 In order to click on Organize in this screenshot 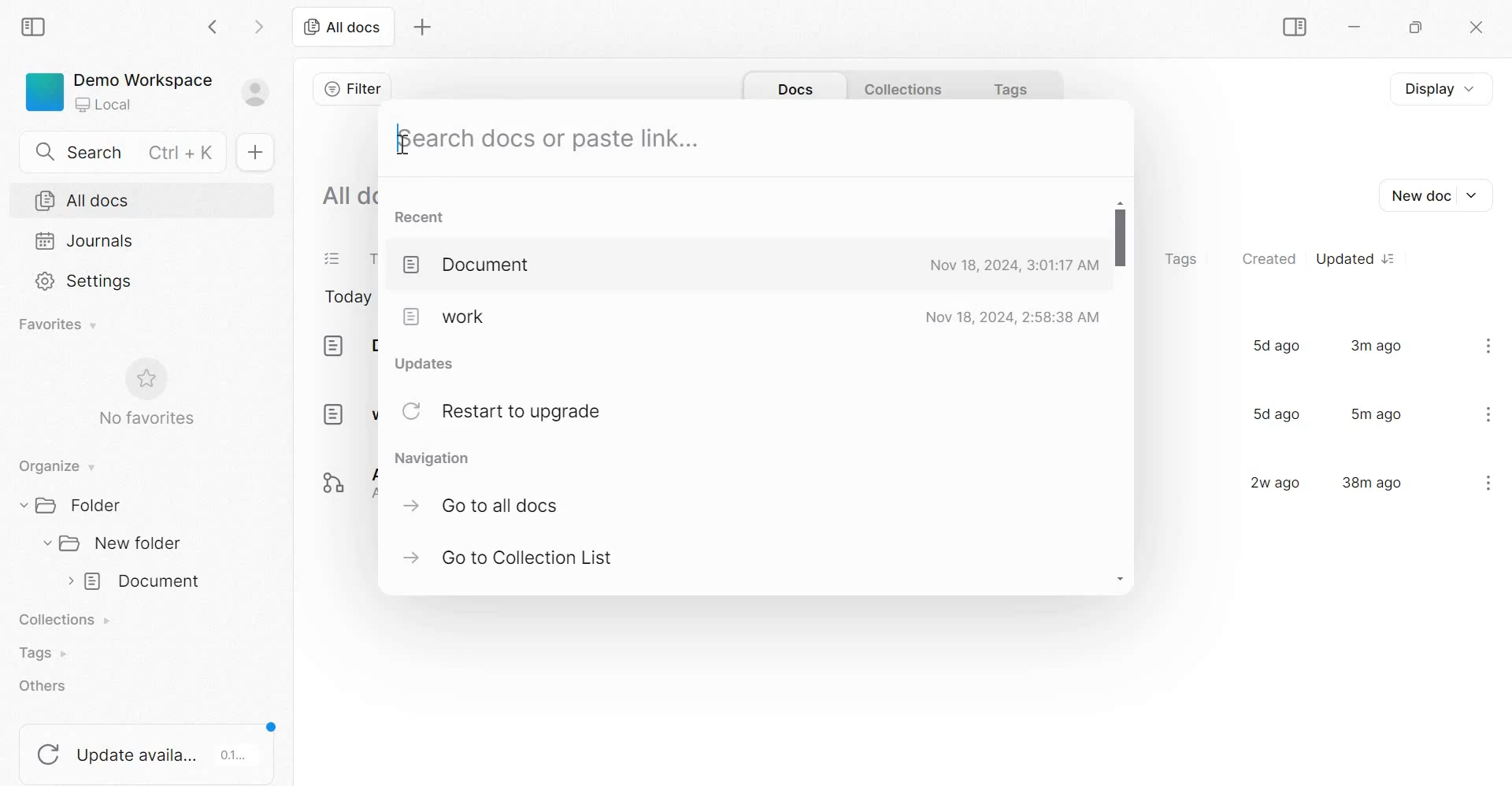, I will do `click(54, 467)`.